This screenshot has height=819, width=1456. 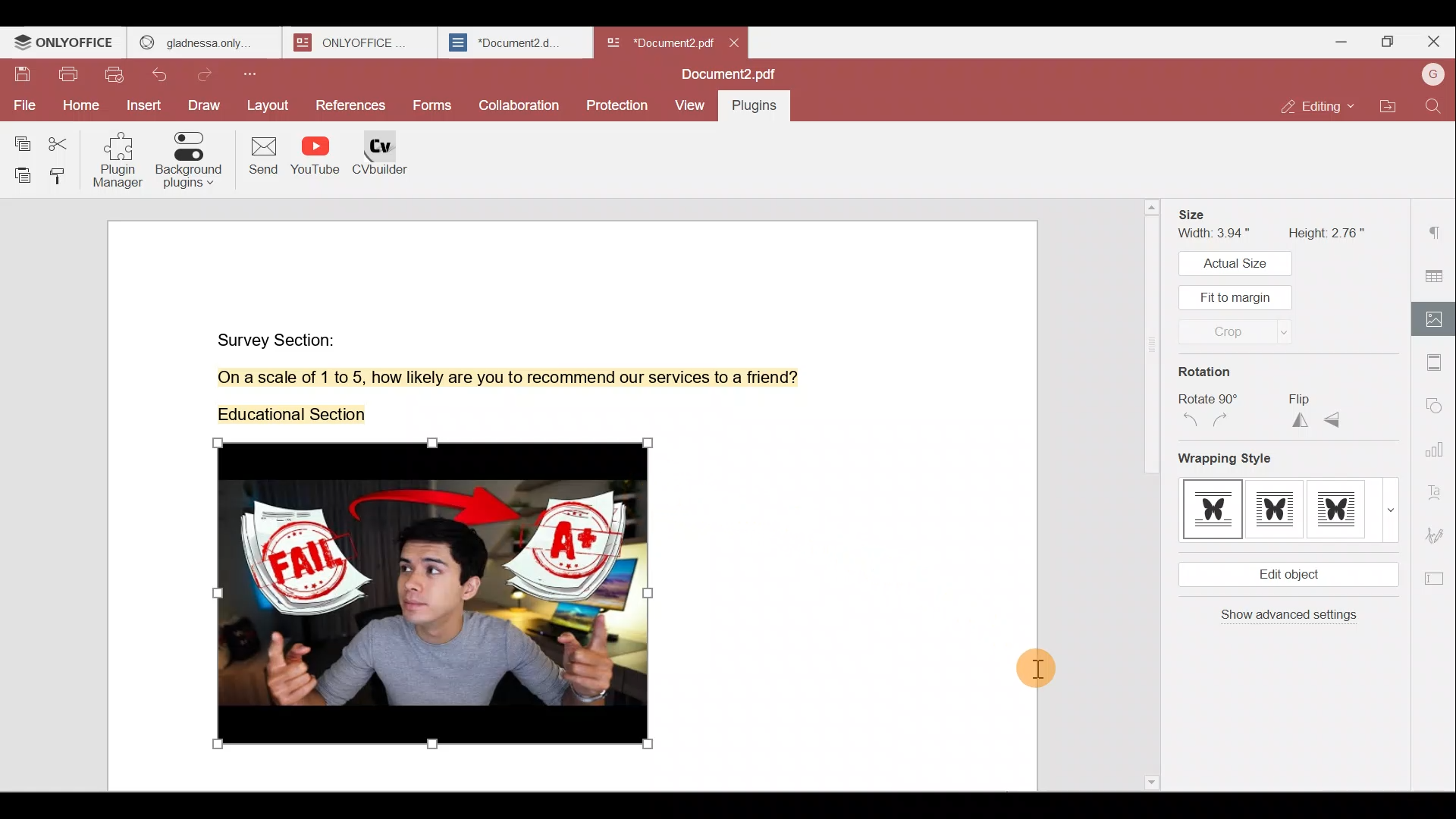 What do you see at coordinates (168, 77) in the screenshot?
I see `Undo` at bounding box center [168, 77].